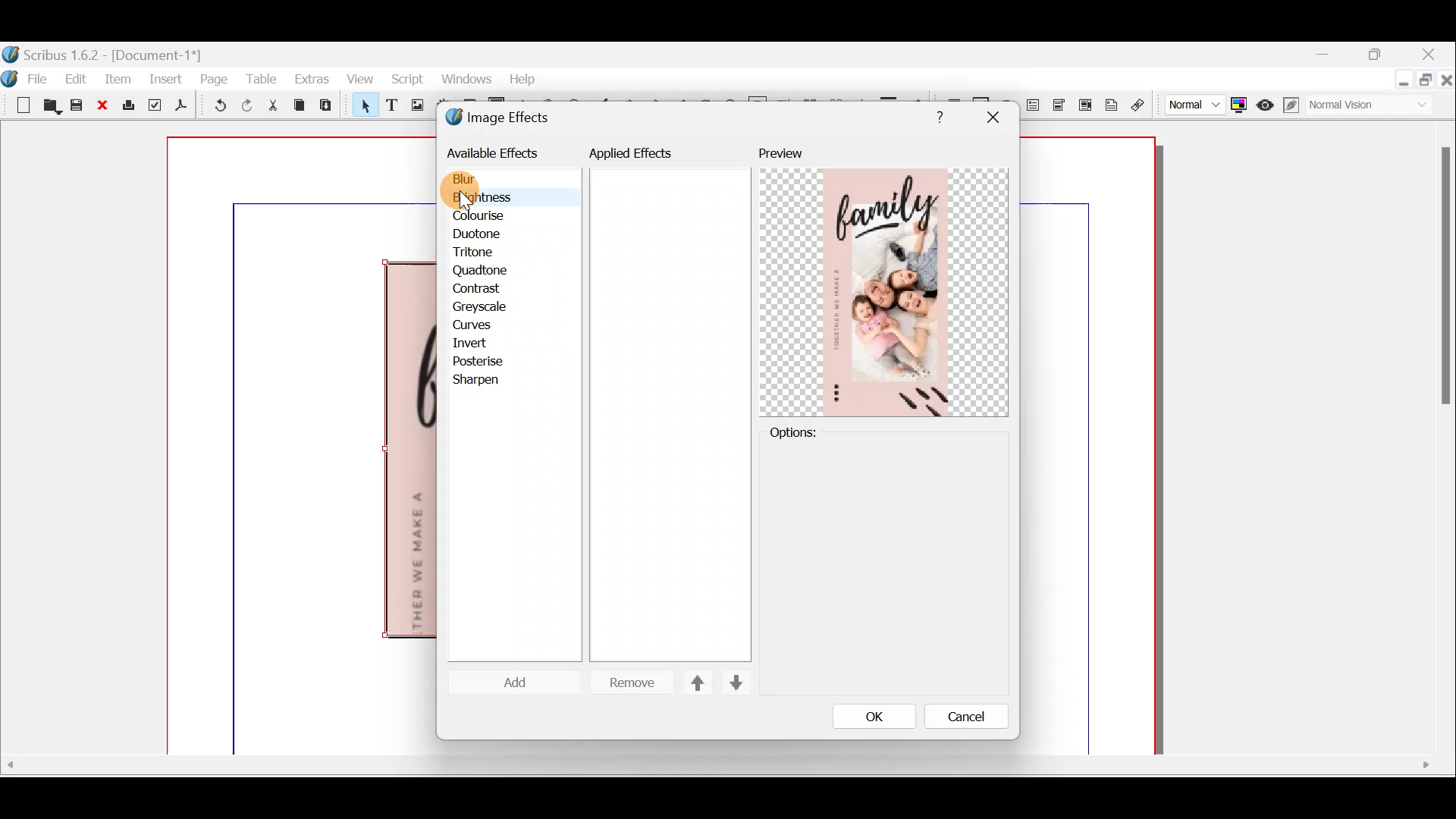 The height and width of the screenshot is (819, 1456). Describe the element at coordinates (1266, 102) in the screenshot. I see `Preview mode` at that location.